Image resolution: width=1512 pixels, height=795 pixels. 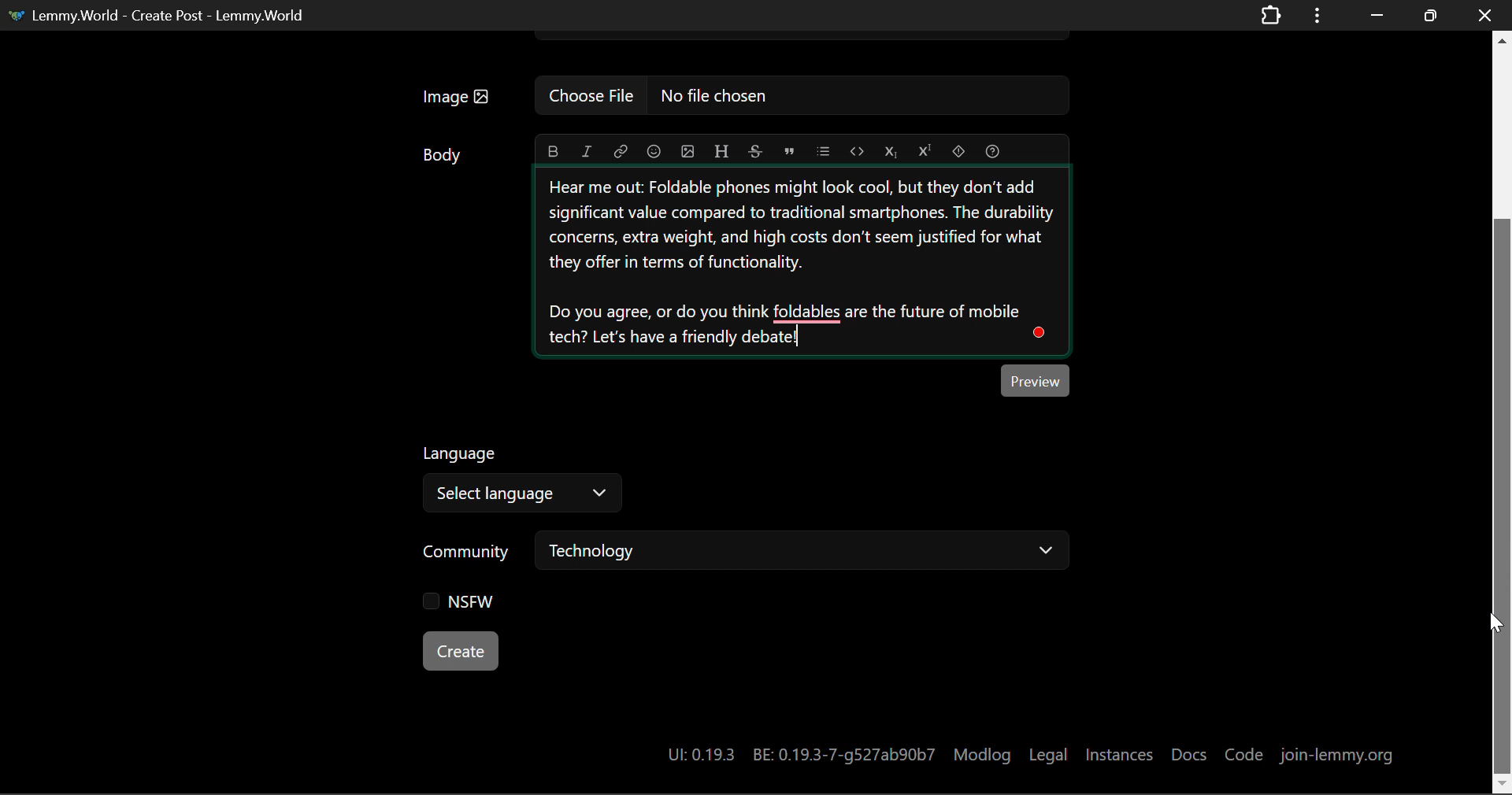 What do you see at coordinates (688, 152) in the screenshot?
I see `upload image` at bounding box center [688, 152].